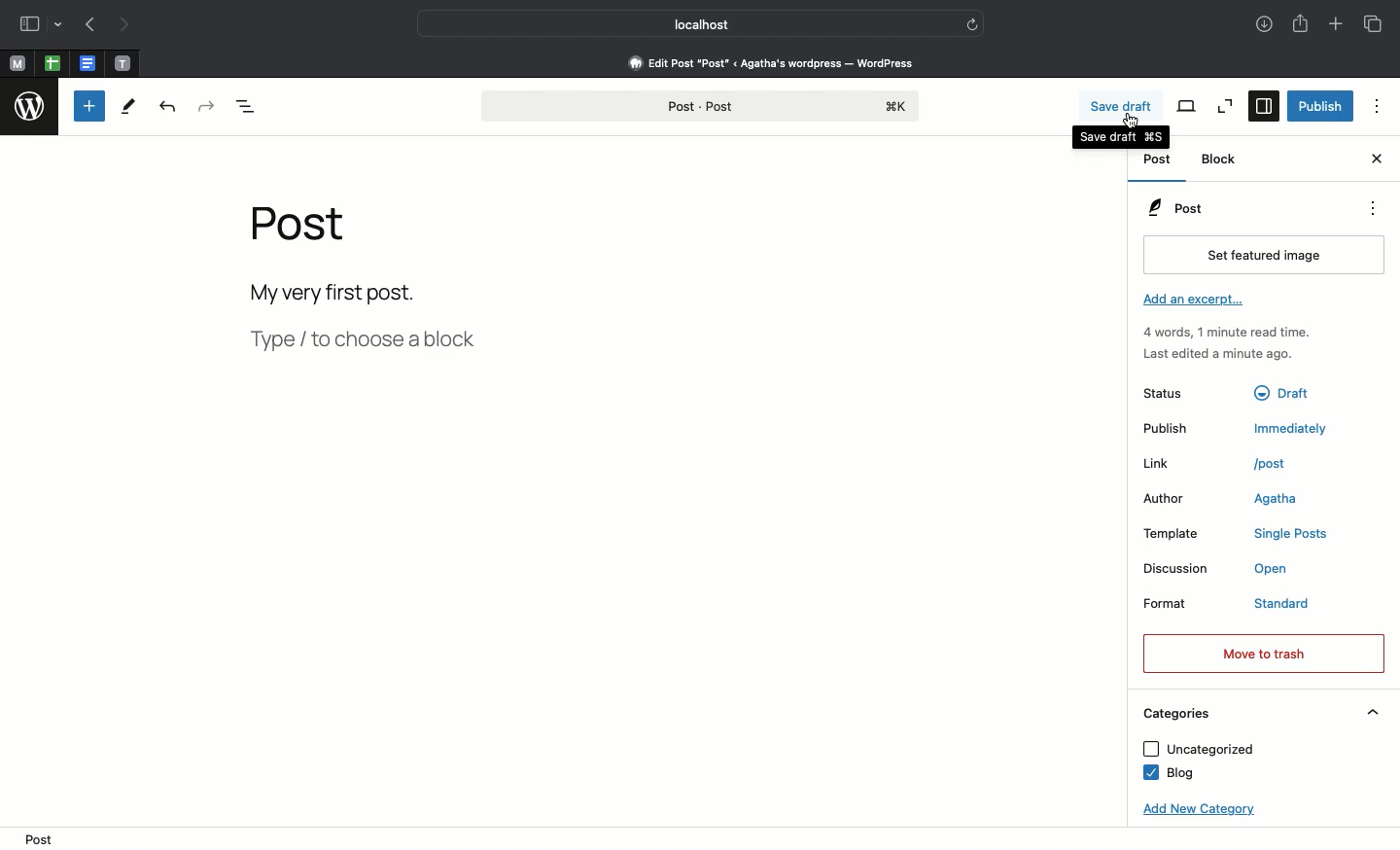 Image resolution: width=1400 pixels, height=850 pixels. I want to click on My very first post. Type / to choose a block, so click(370, 322).